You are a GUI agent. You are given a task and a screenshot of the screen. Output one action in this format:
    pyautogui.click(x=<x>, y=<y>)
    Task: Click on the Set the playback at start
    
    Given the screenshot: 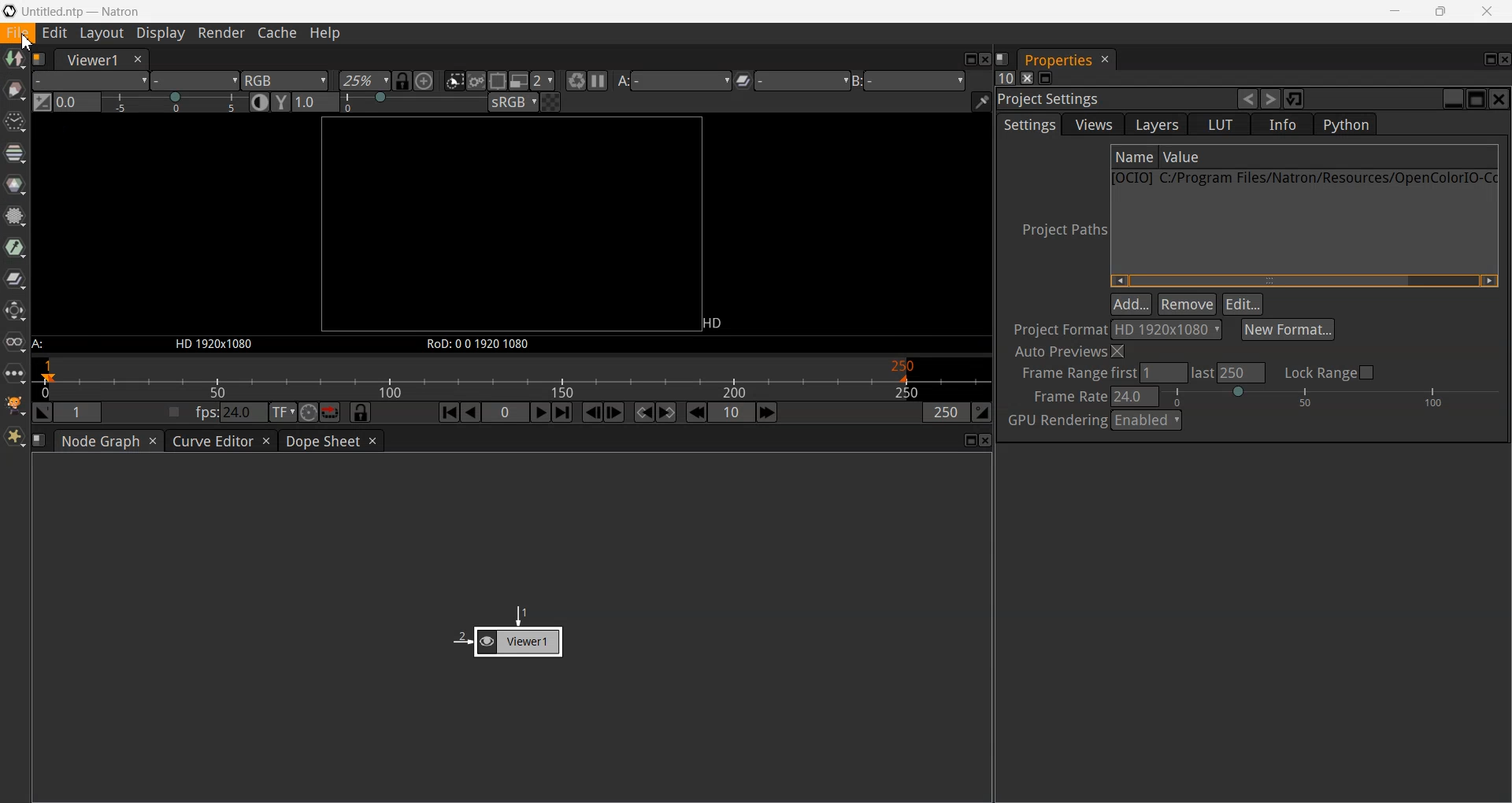 What is the action you would take?
    pyautogui.click(x=43, y=412)
    